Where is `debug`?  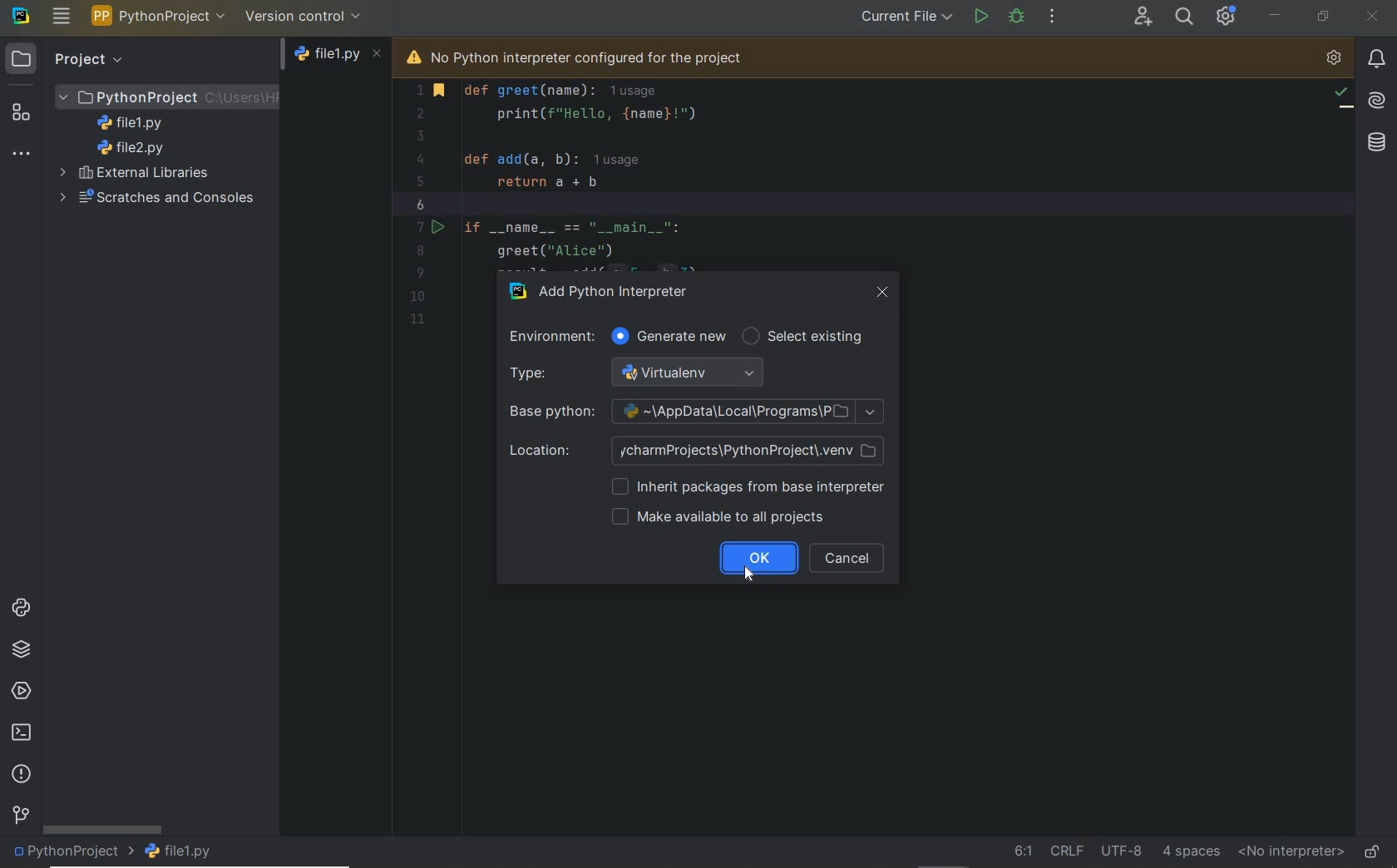 debug is located at coordinates (1018, 16).